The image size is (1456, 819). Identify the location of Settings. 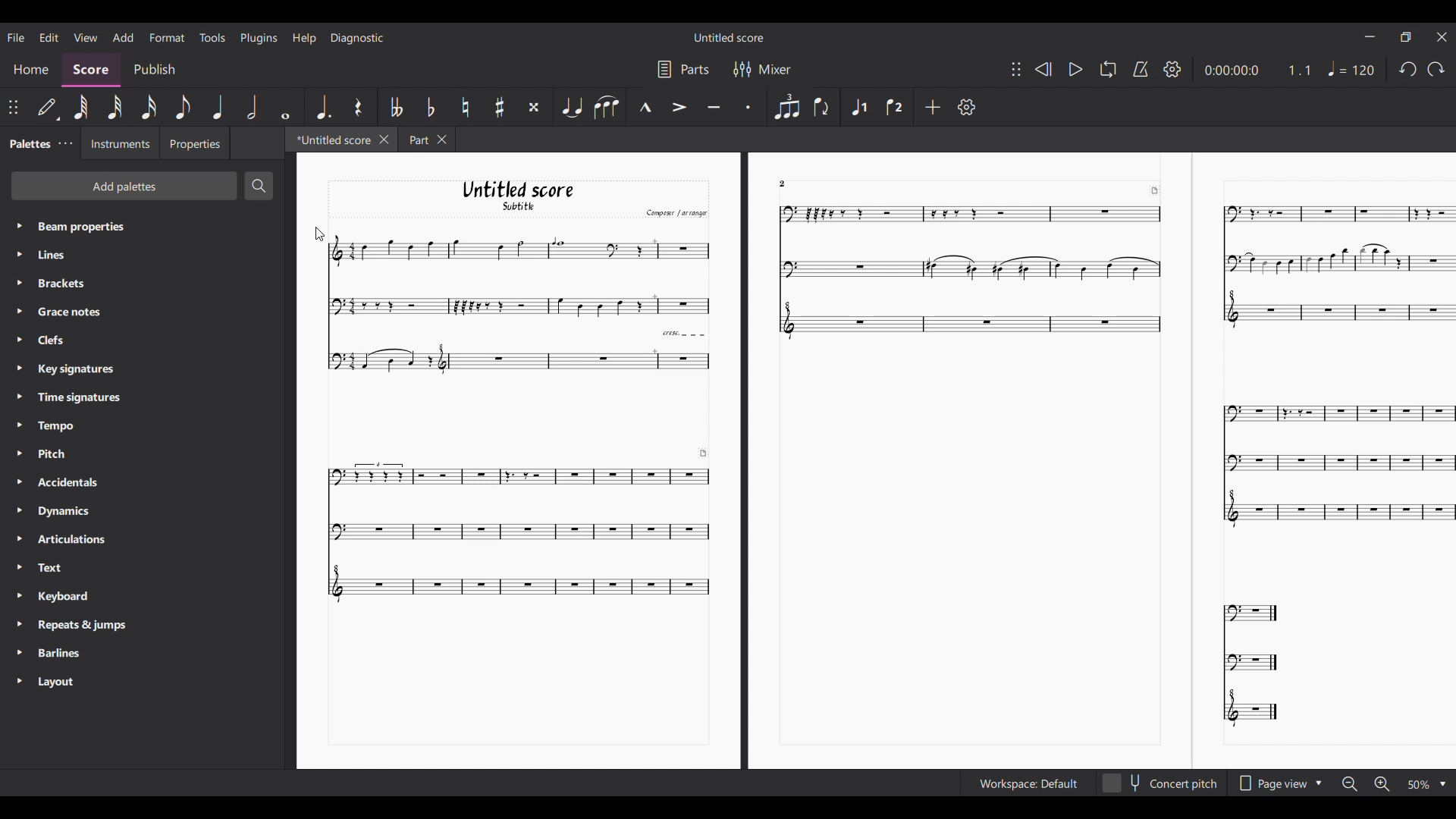
(1173, 69).